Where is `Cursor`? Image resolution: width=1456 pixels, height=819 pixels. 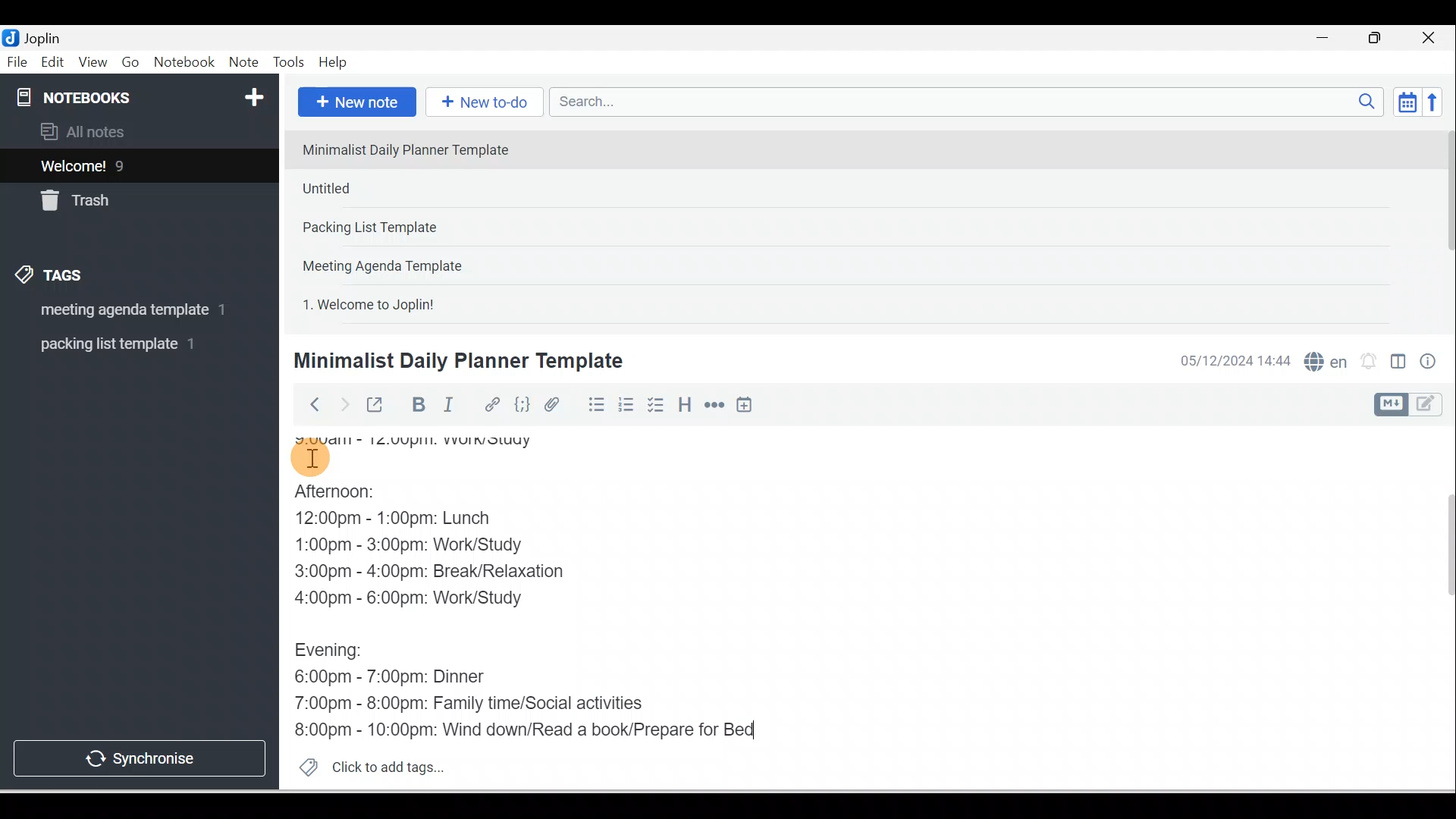 Cursor is located at coordinates (311, 455).